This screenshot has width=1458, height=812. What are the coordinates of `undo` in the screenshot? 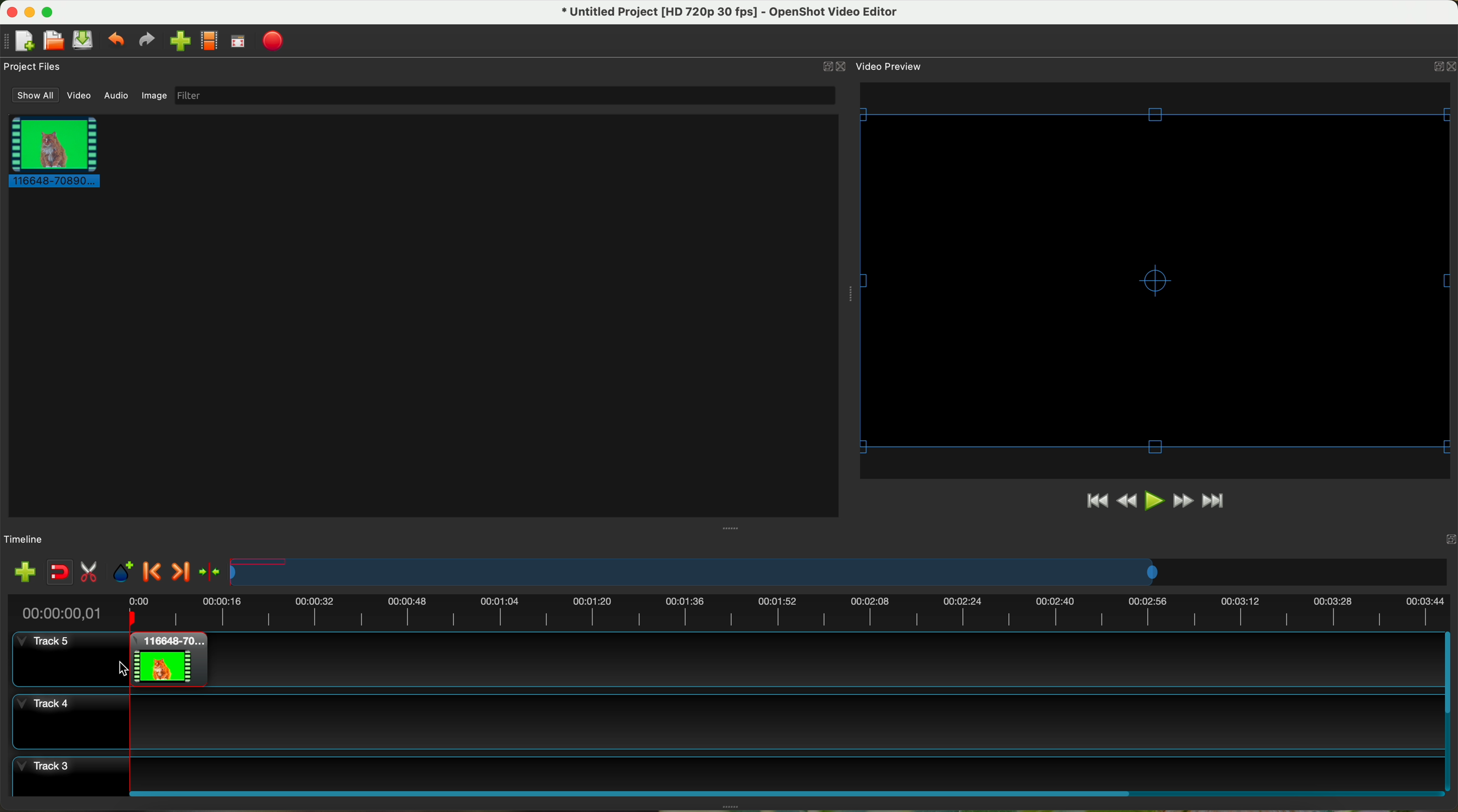 It's located at (115, 38).